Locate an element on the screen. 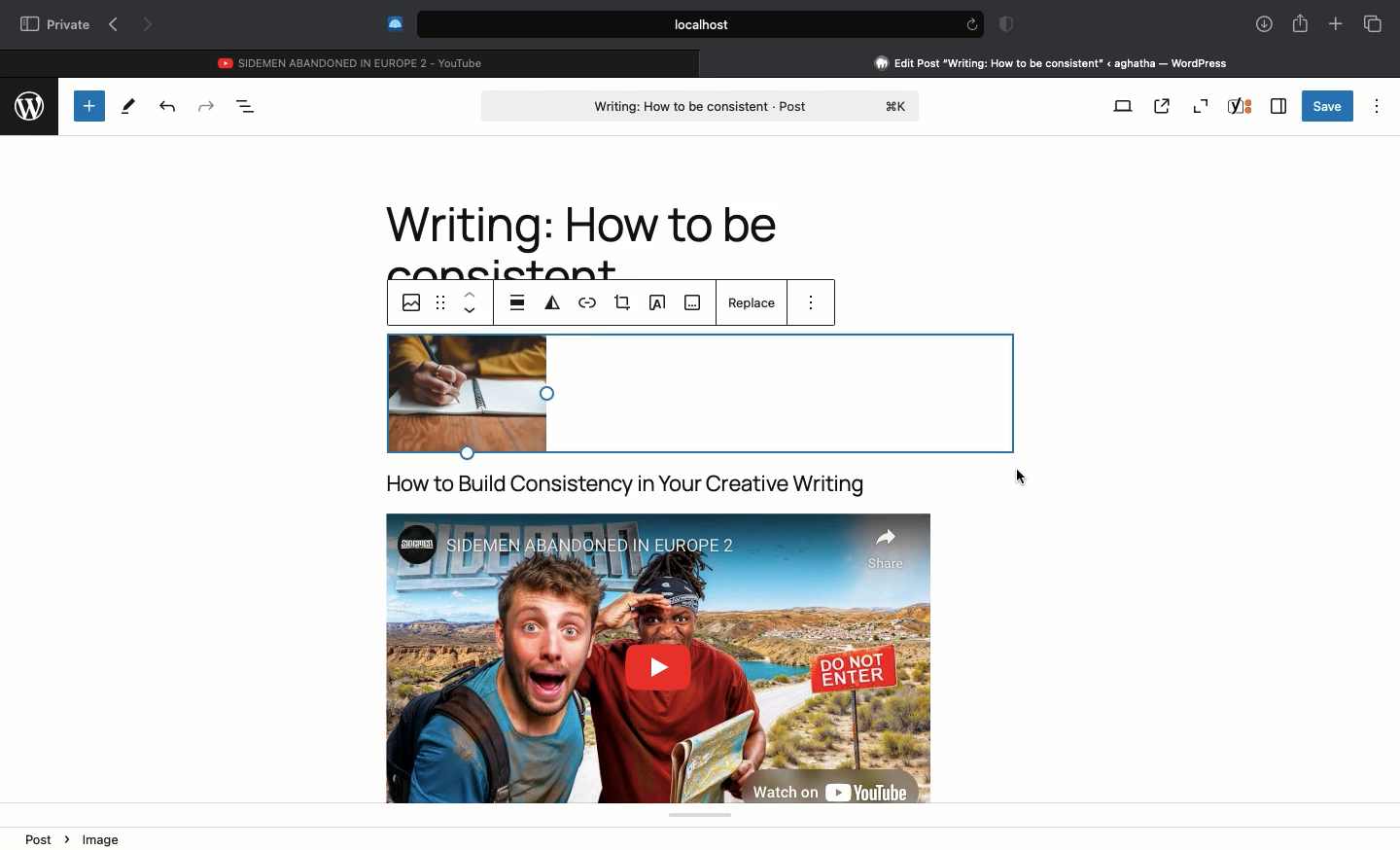 The image size is (1400, 850). Save is located at coordinates (1328, 106).